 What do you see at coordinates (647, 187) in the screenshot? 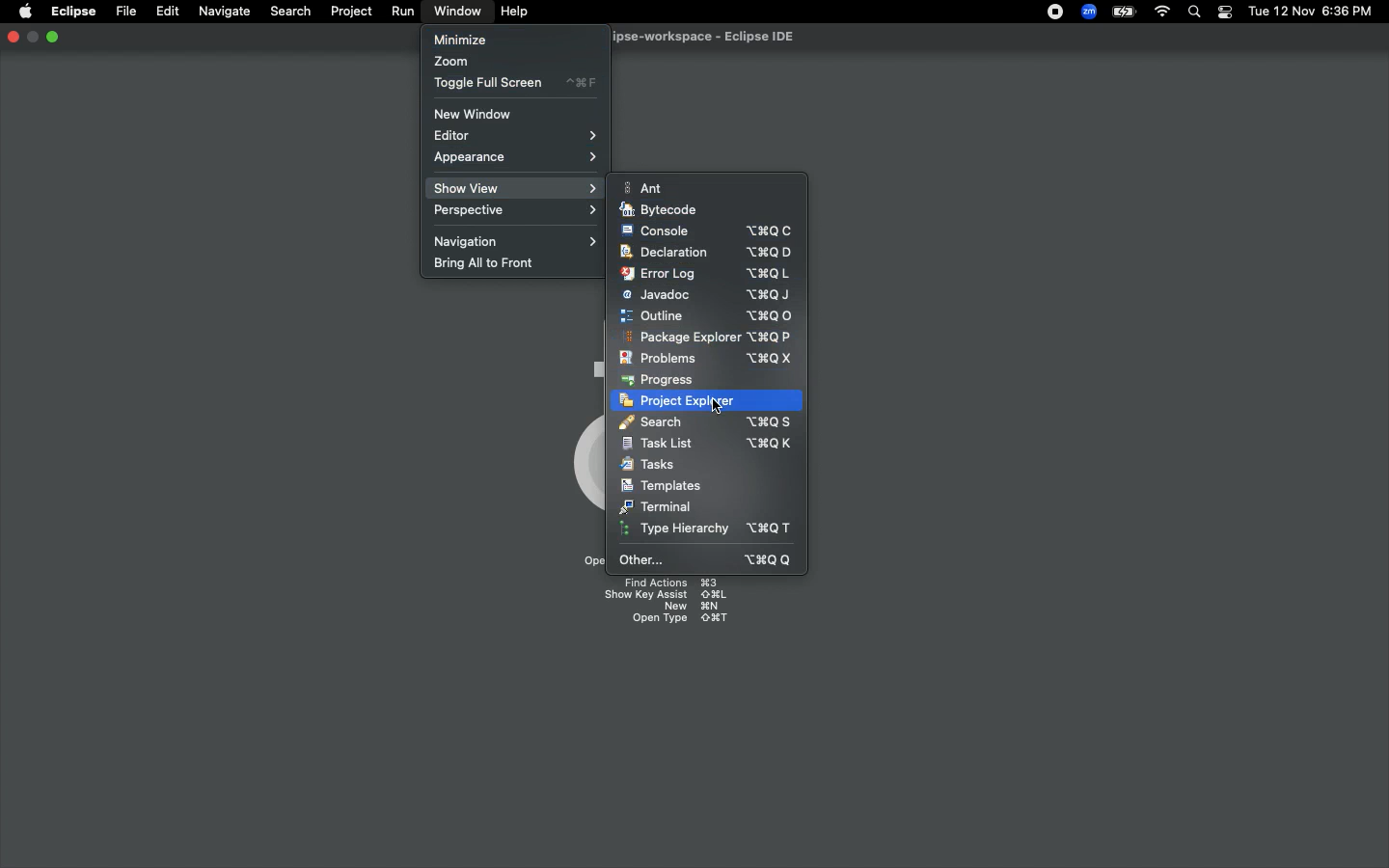
I see `Ant` at bounding box center [647, 187].